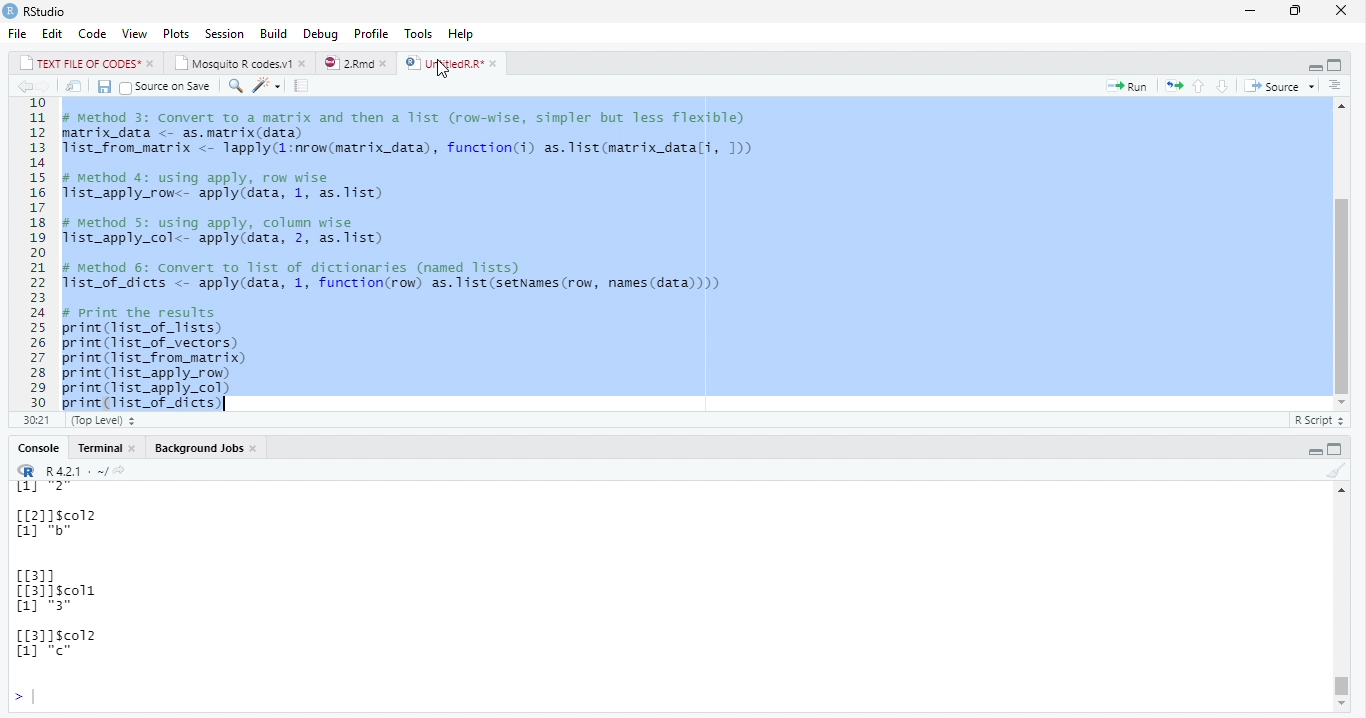 The image size is (1366, 718). I want to click on go to previous section/chunk, so click(1196, 86).